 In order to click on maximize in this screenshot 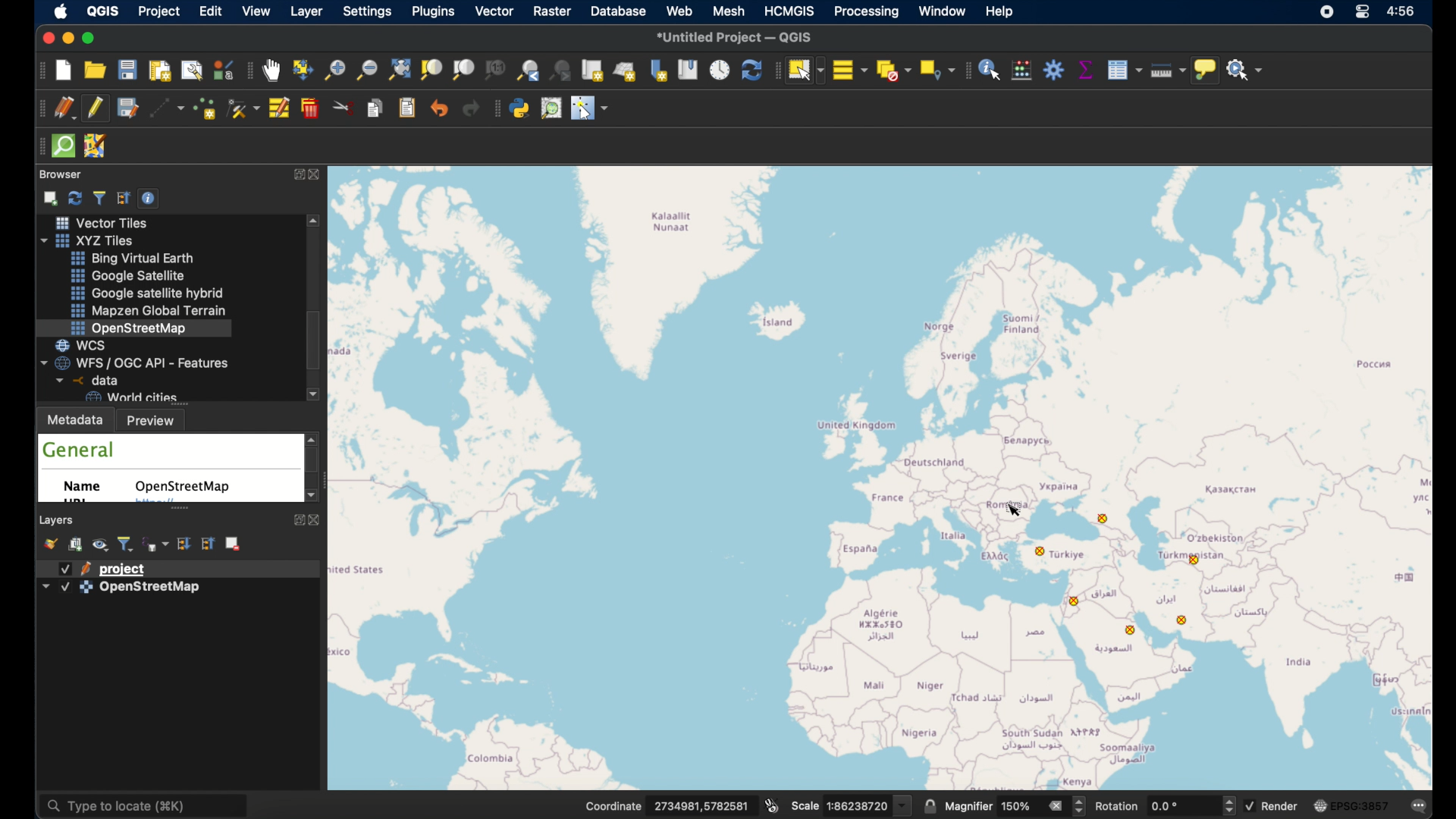, I will do `click(93, 38)`.